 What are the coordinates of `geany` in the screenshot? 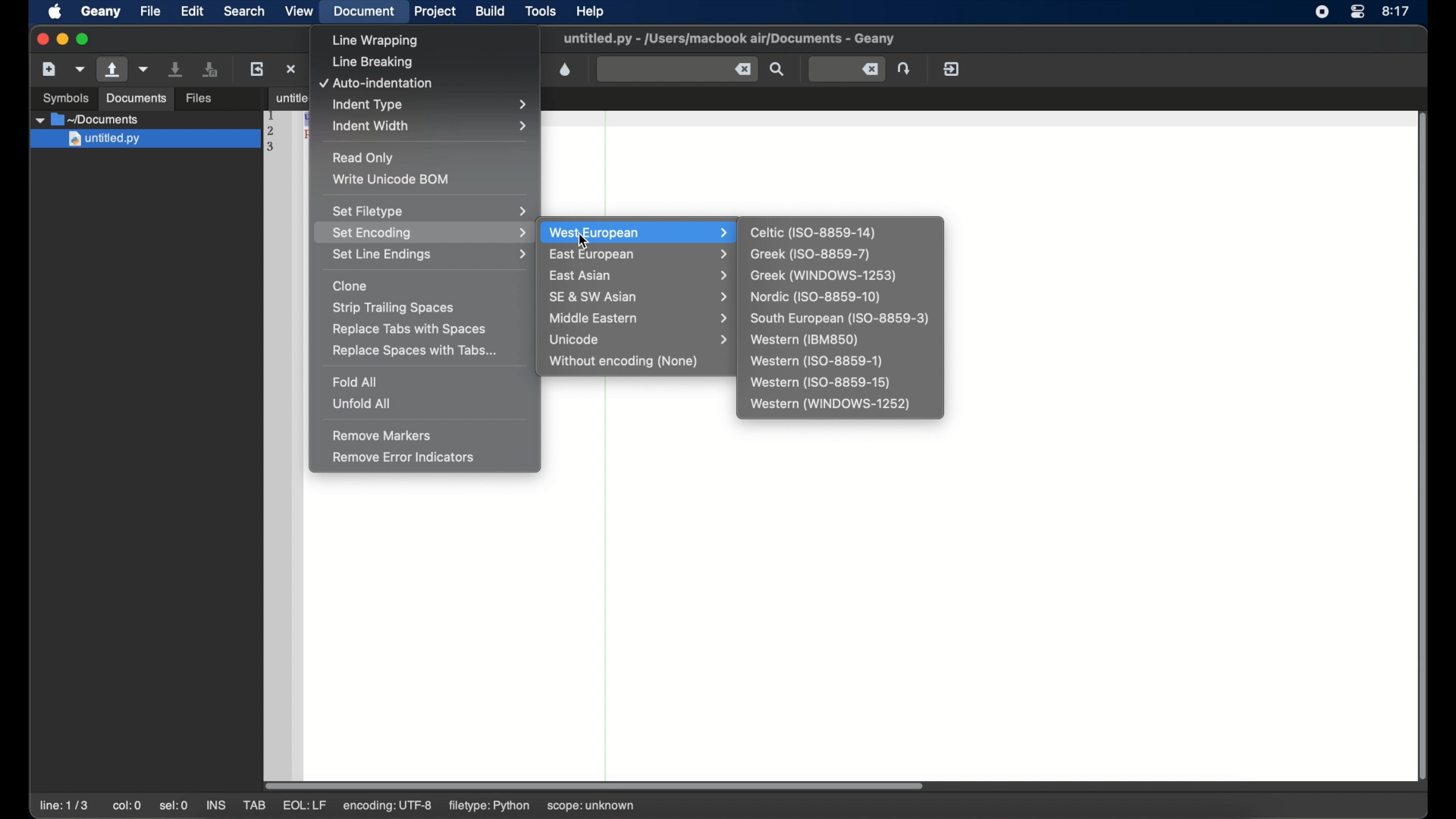 It's located at (101, 11).